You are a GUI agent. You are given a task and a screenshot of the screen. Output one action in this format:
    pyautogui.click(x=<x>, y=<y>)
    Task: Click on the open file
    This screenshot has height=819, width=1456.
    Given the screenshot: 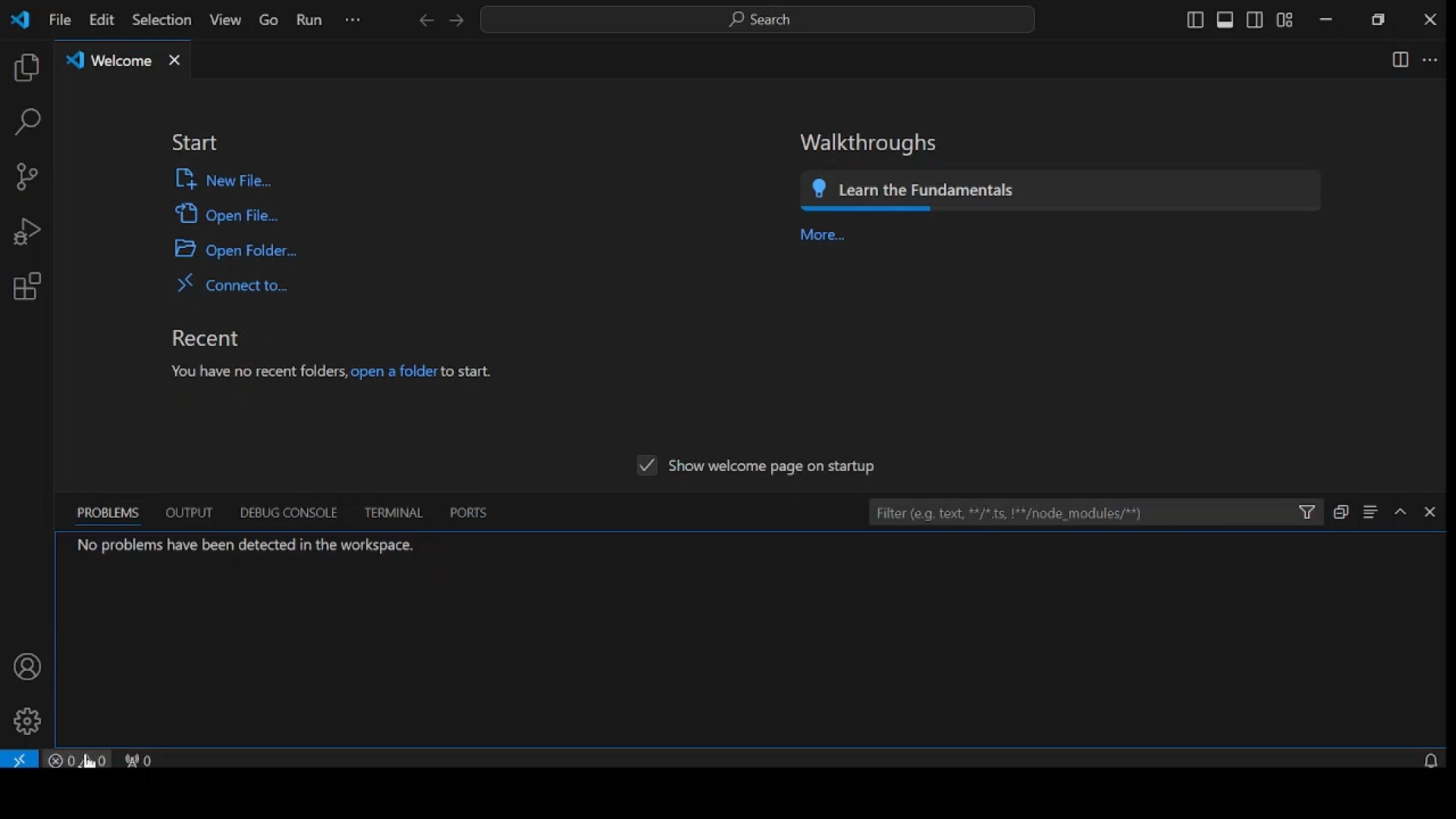 What is the action you would take?
    pyautogui.click(x=230, y=213)
    